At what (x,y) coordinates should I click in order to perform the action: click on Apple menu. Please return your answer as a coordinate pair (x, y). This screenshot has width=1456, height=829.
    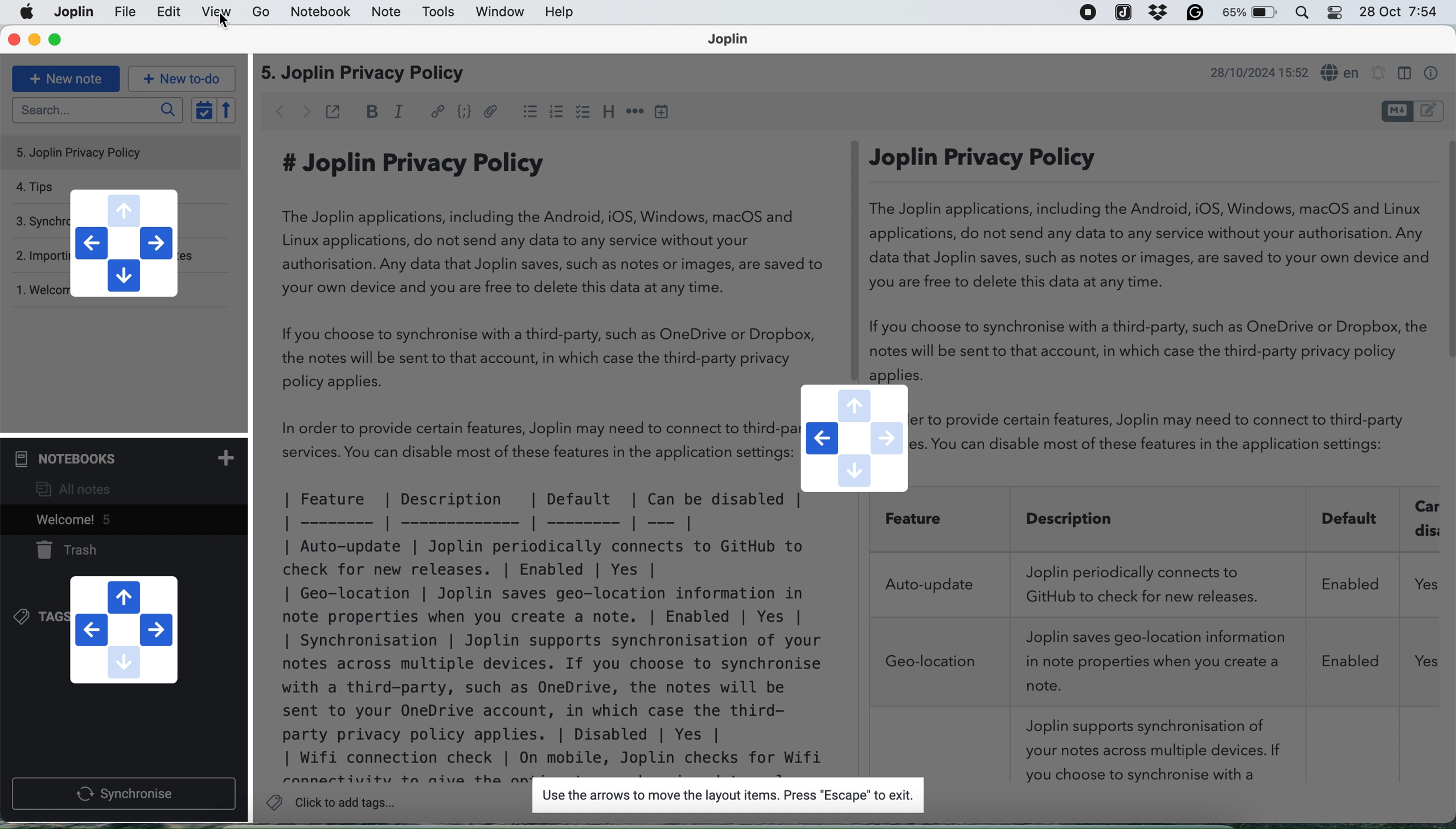
    Looking at the image, I should click on (28, 12).